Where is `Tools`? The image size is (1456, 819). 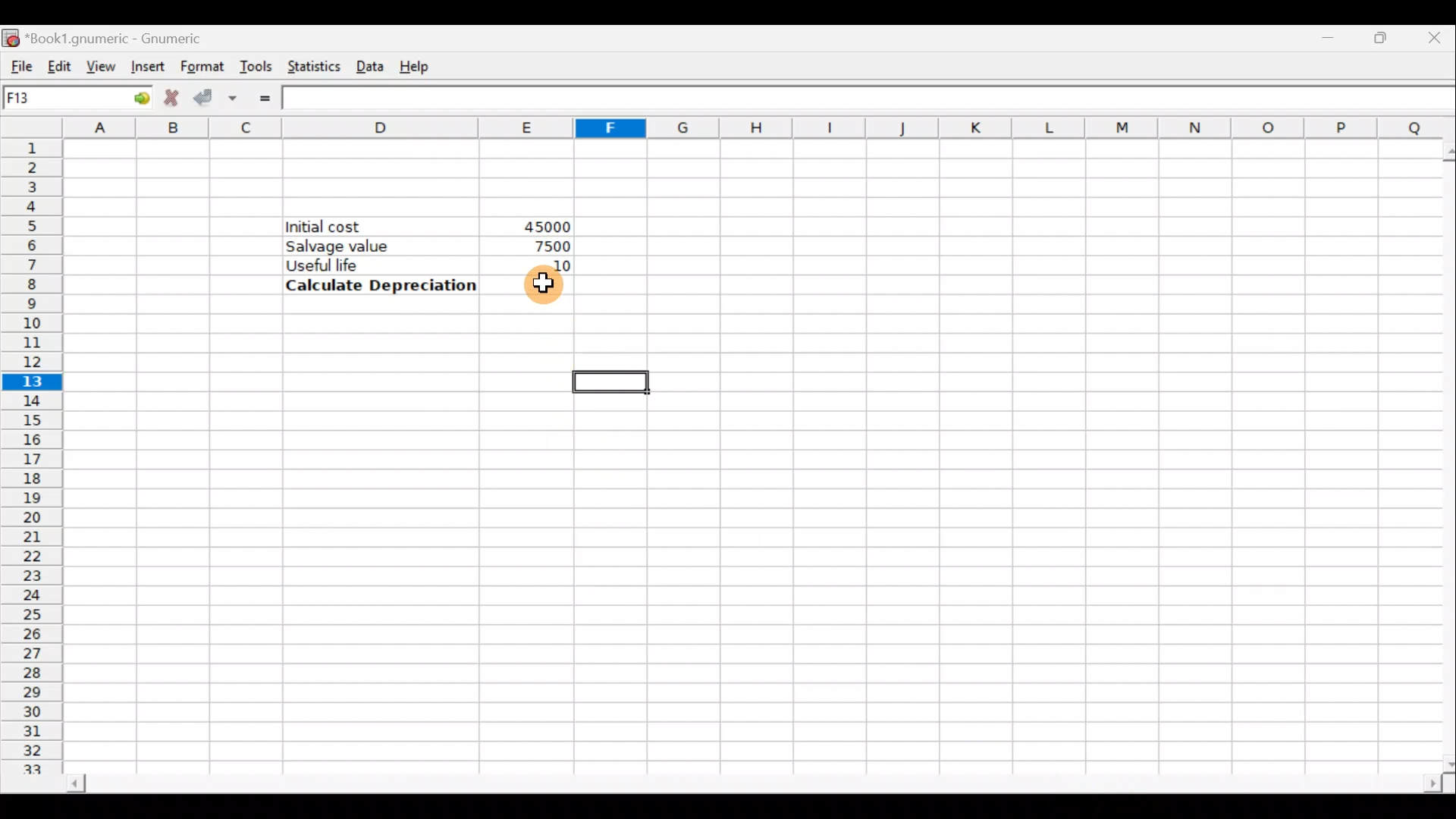
Tools is located at coordinates (258, 65).